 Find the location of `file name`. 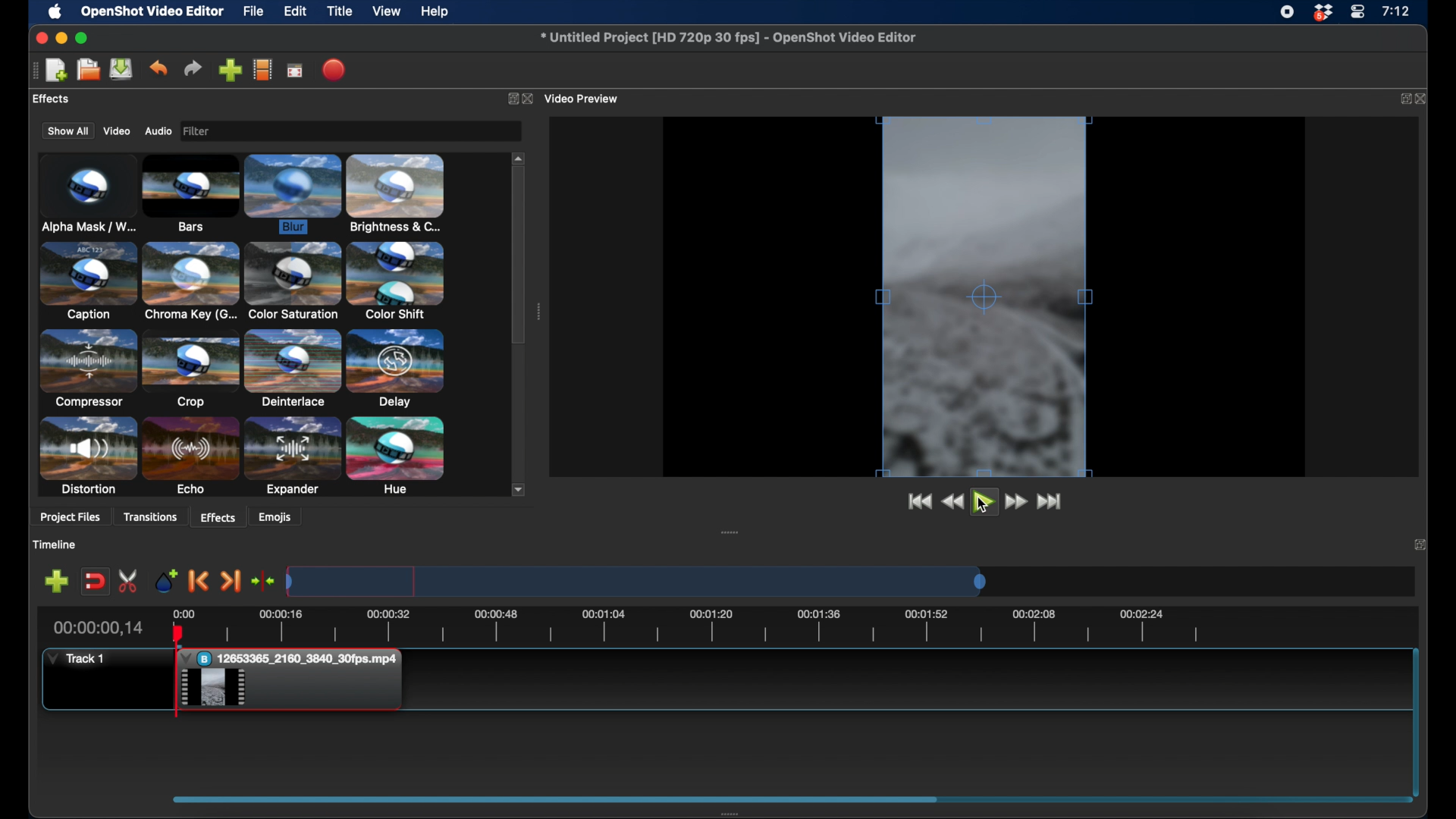

file name is located at coordinates (729, 37).